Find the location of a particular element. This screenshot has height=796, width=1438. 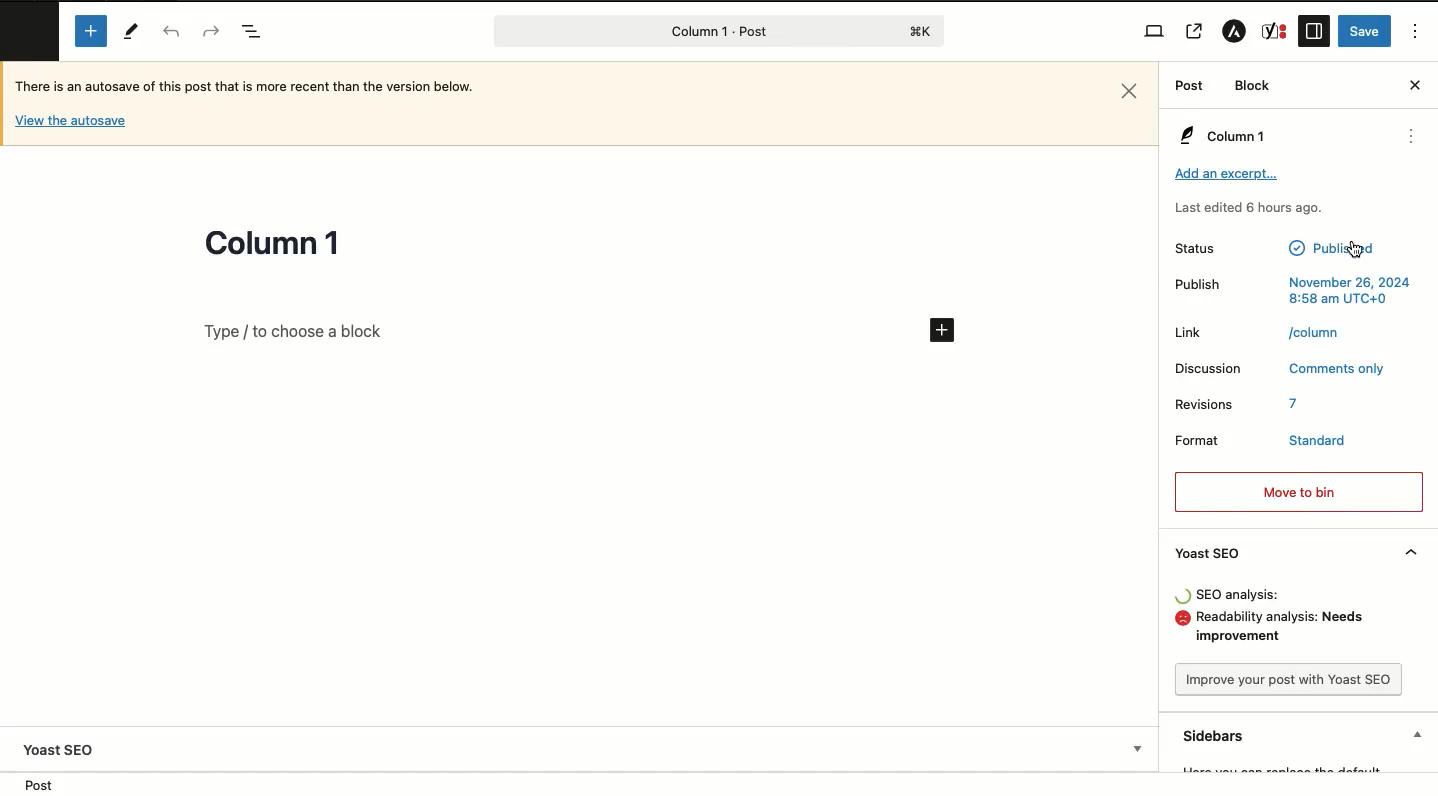

Last edited is located at coordinates (1247, 207).